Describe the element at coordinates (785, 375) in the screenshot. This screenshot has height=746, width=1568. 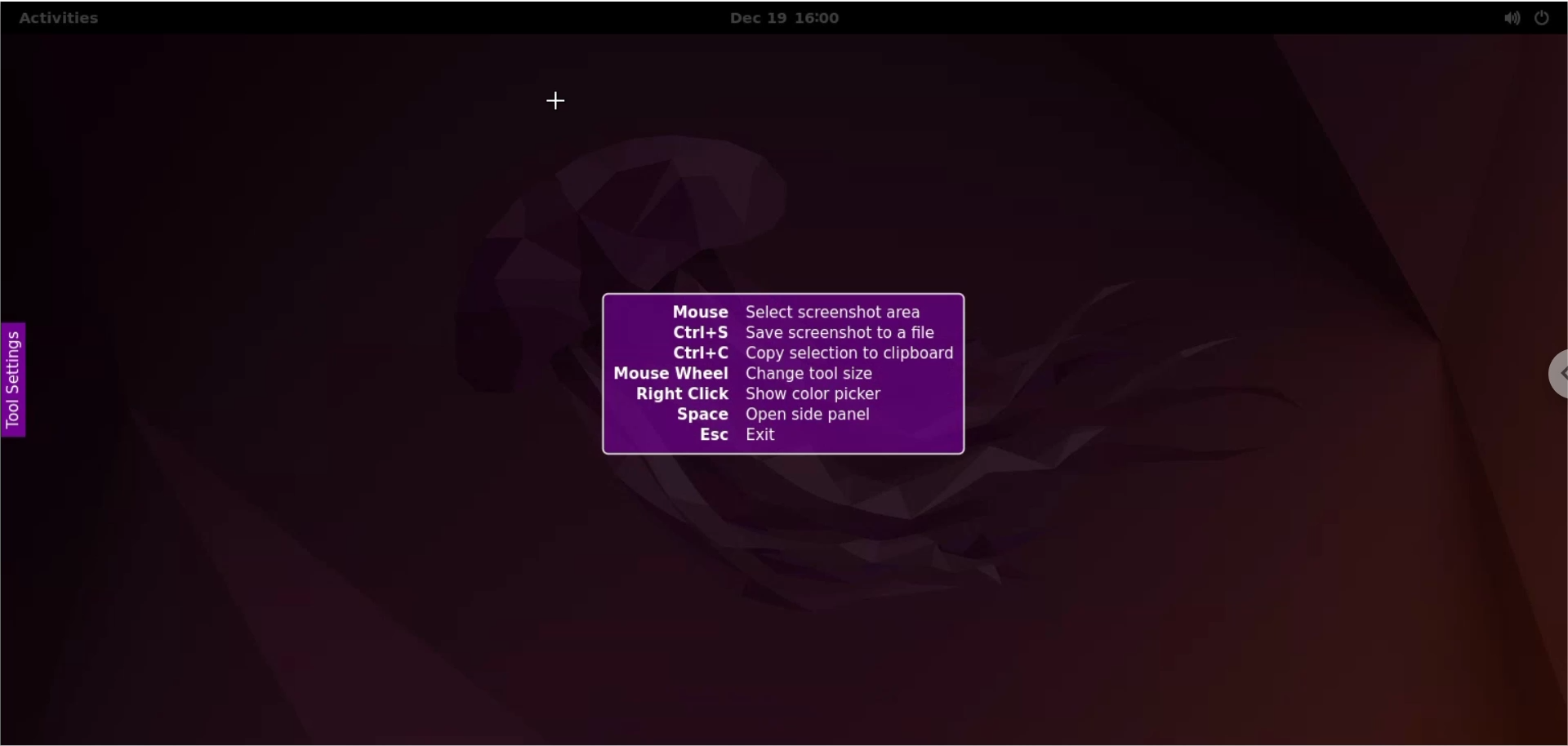
I see `flameshot keyboard shortcuts ` at that location.